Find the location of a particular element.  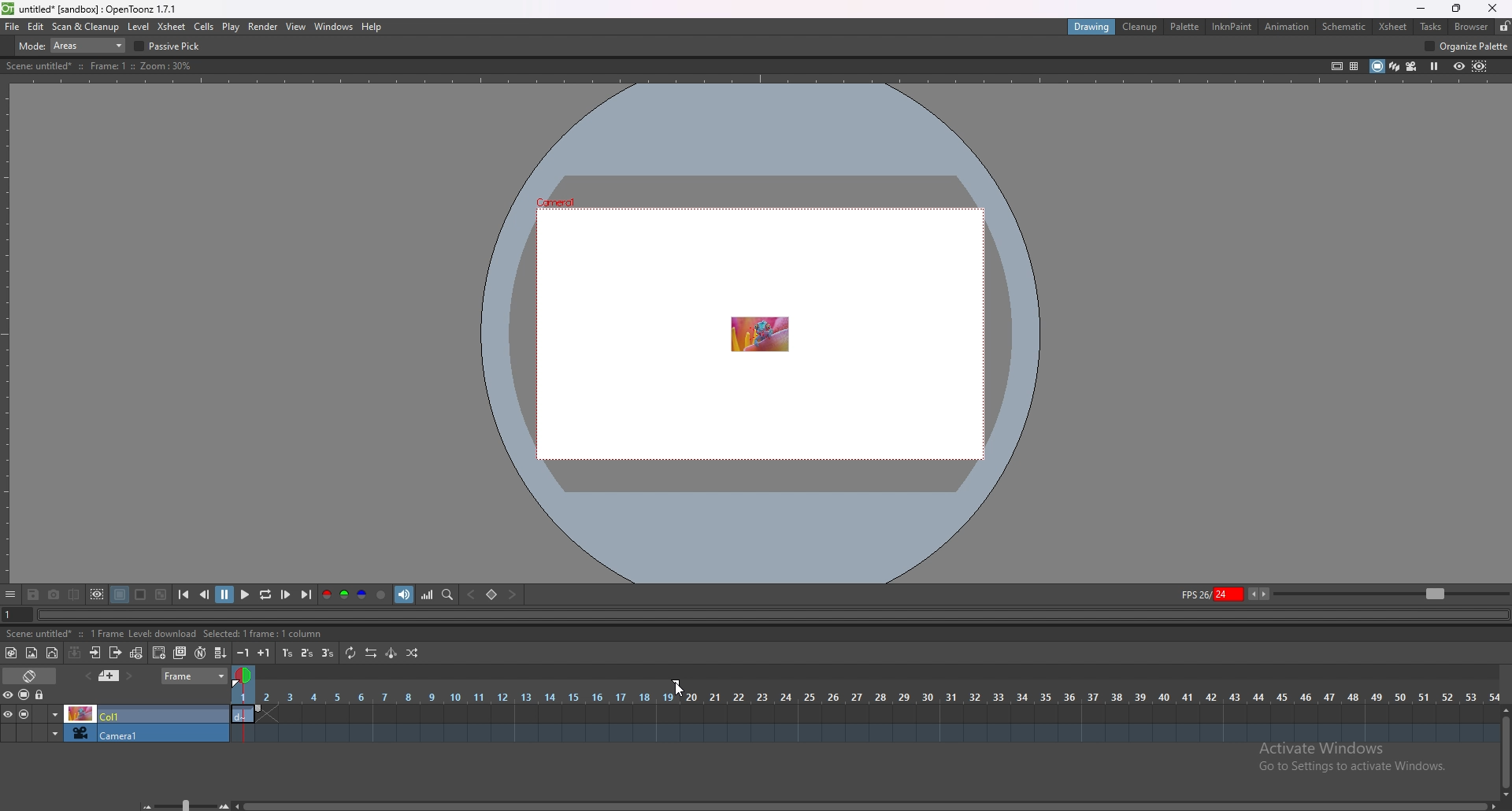

browser is located at coordinates (1473, 26).